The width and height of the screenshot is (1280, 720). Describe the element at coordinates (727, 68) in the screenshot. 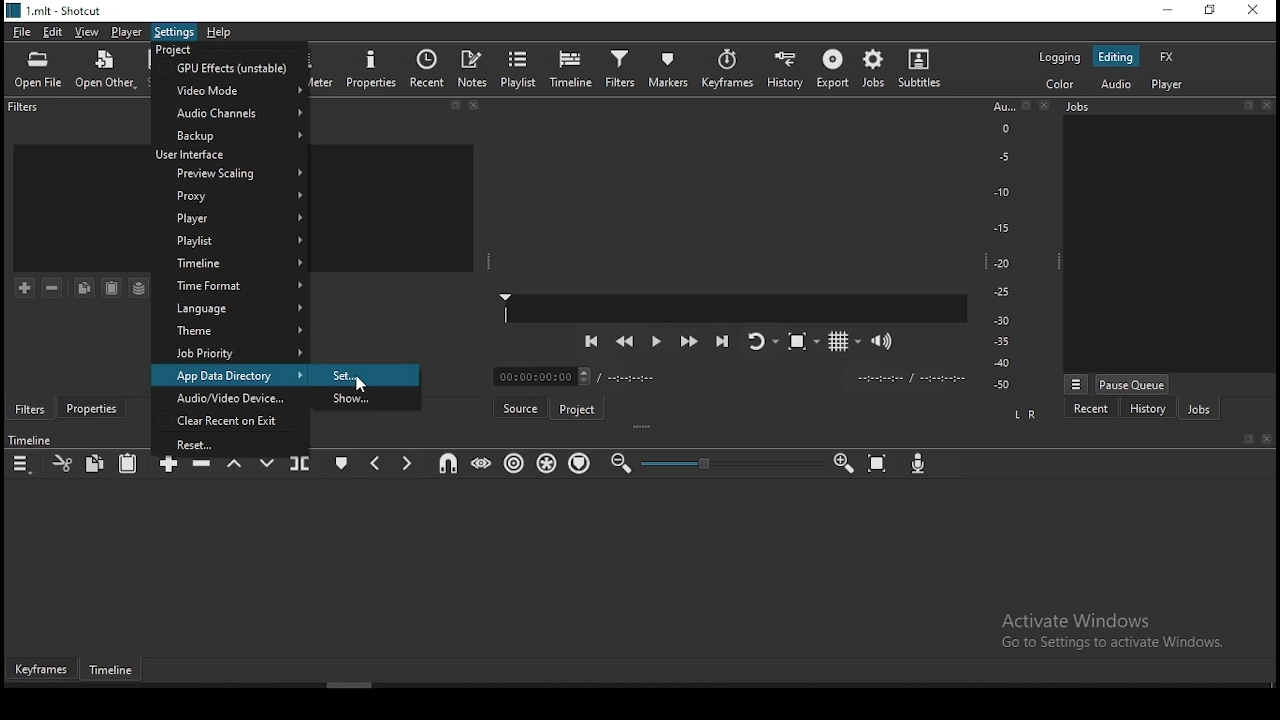

I see `keyframes` at that location.